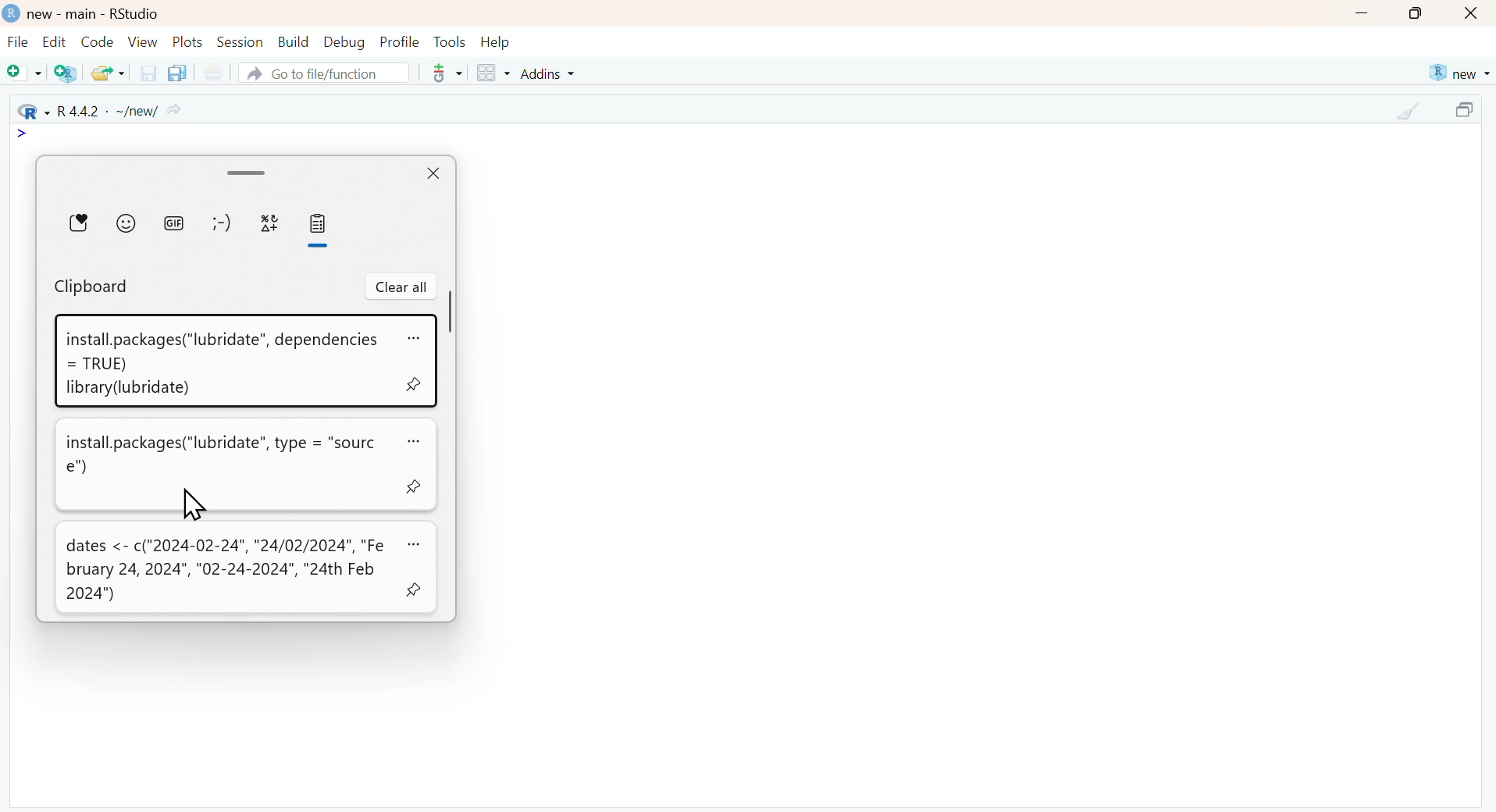 This screenshot has width=1496, height=812. What do you see at coordinates (411, 485) in the screenshot?
I see `pin` at bounding box center [411, 485].